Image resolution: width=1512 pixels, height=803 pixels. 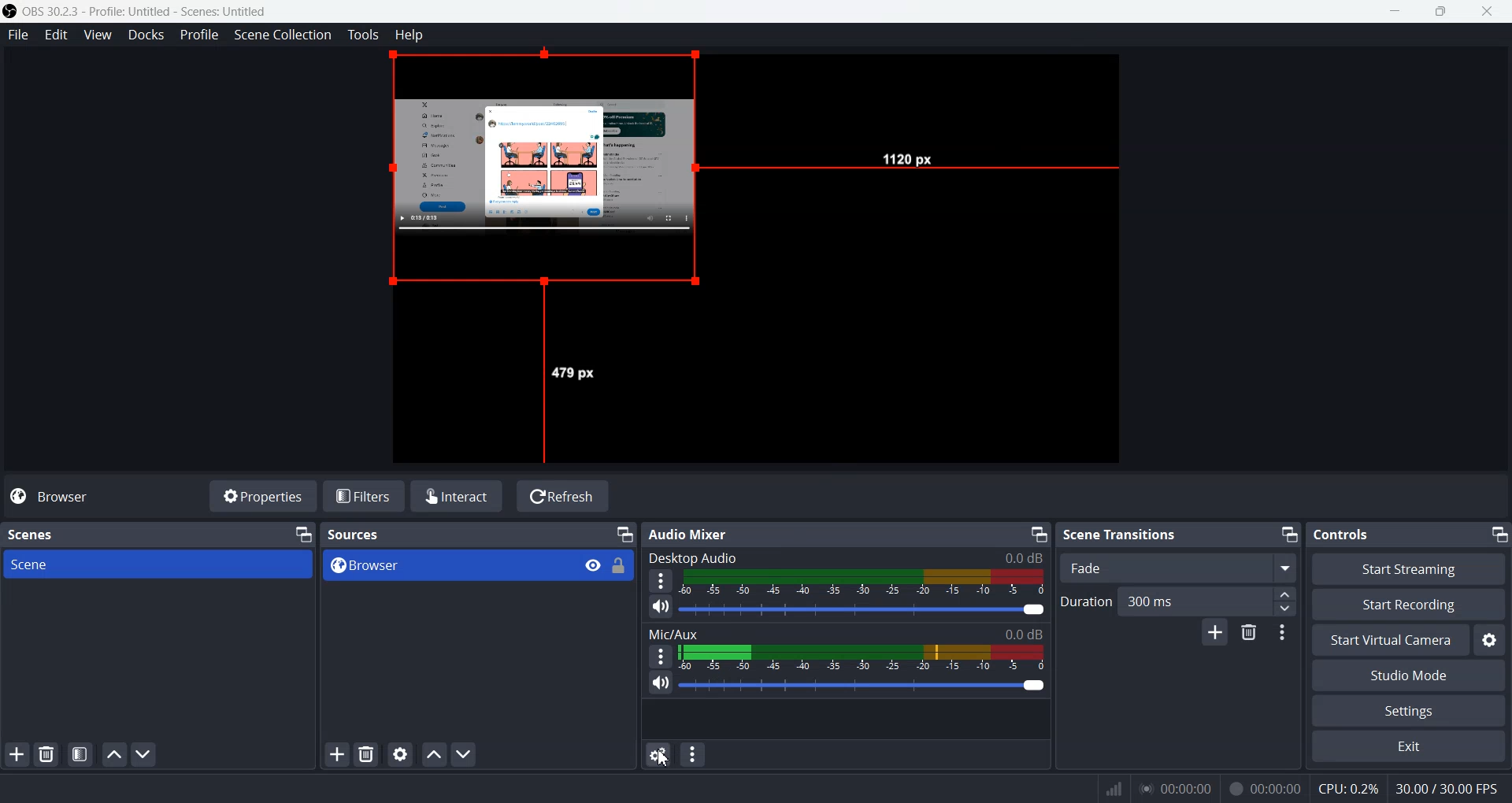 I want to click on 00:00:00, so click(x=1176, y=787).